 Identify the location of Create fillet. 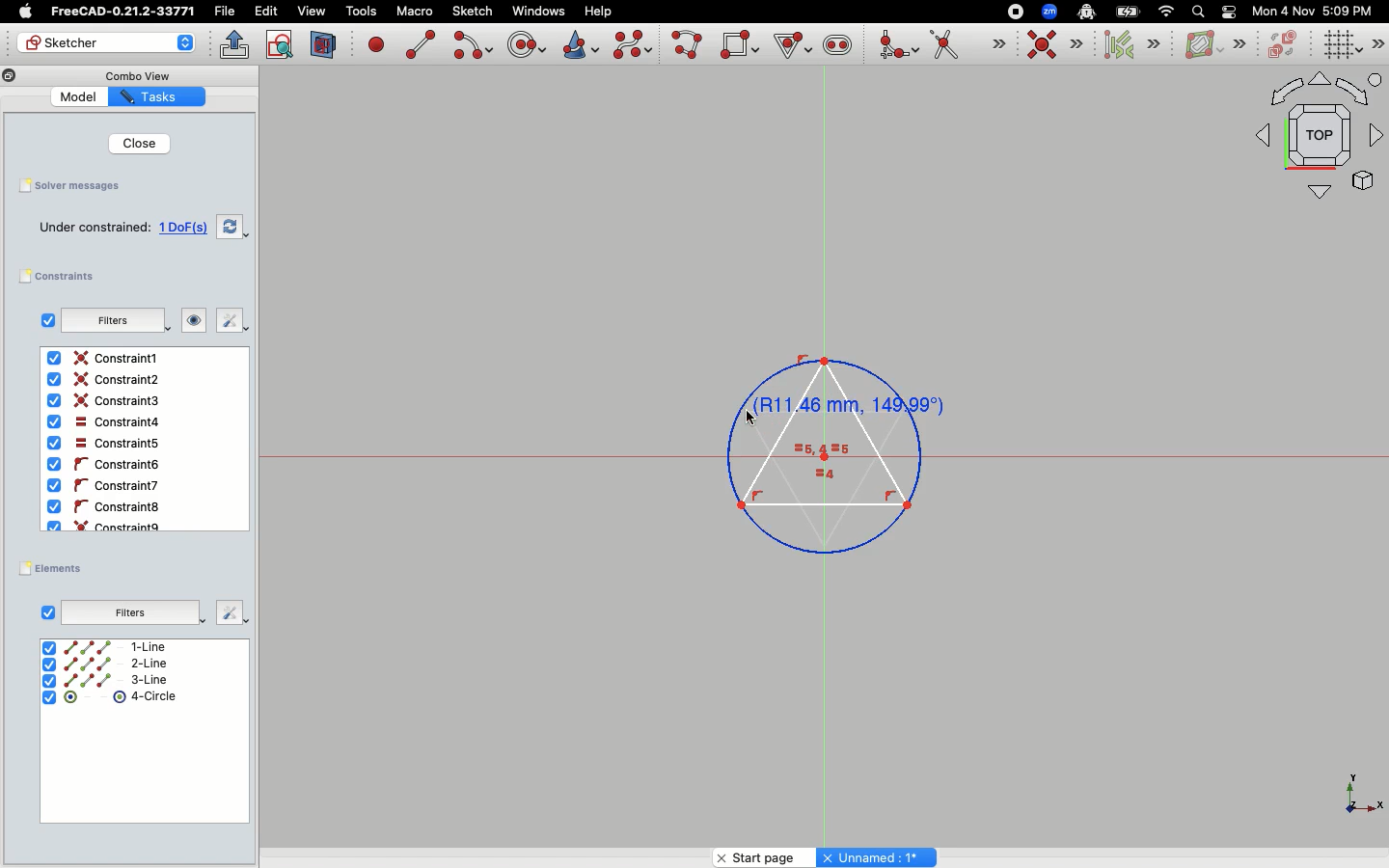
(897, 46).